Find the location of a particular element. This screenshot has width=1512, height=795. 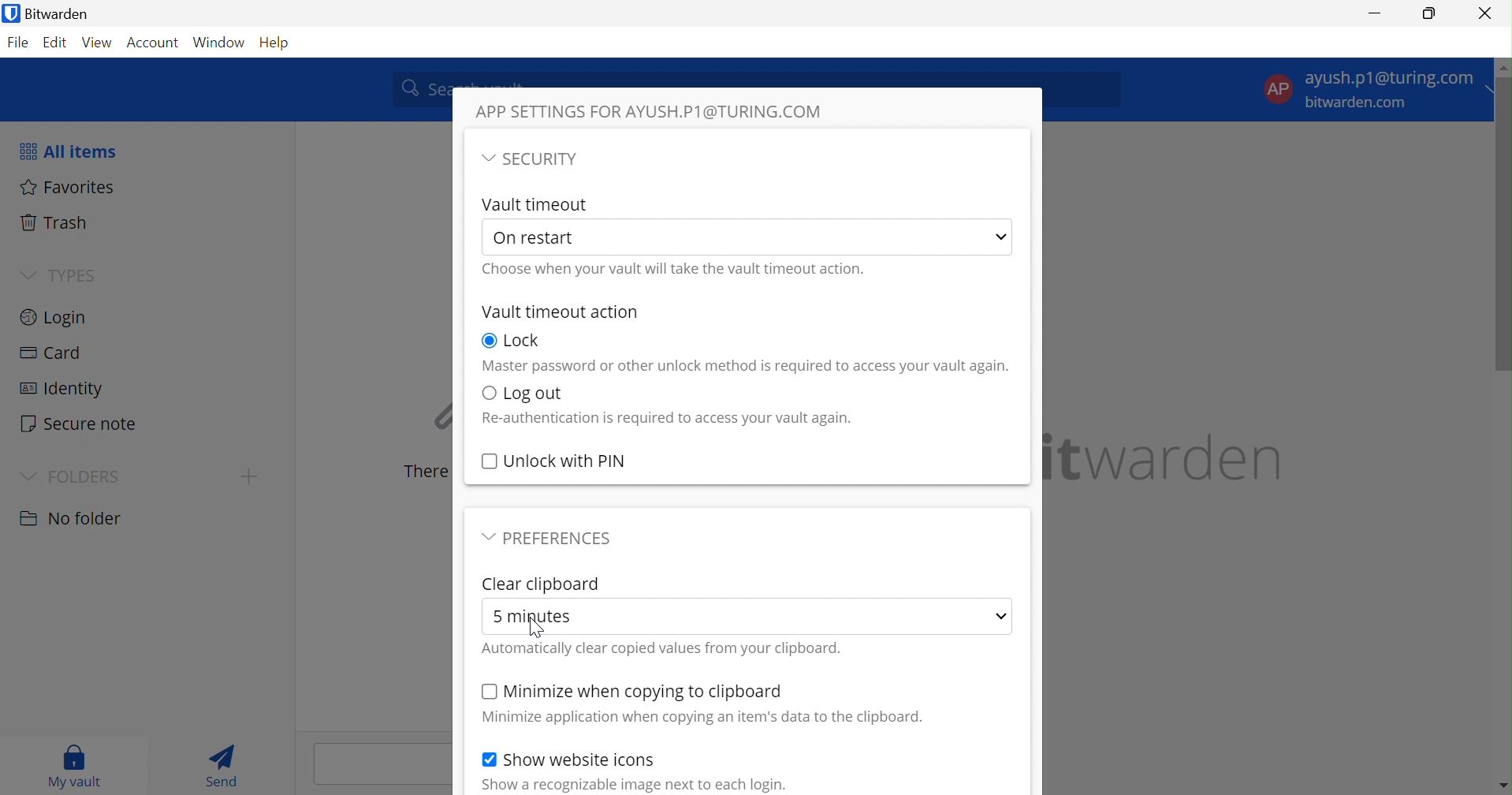

Drop Down is located at coordinates (1002, 615).